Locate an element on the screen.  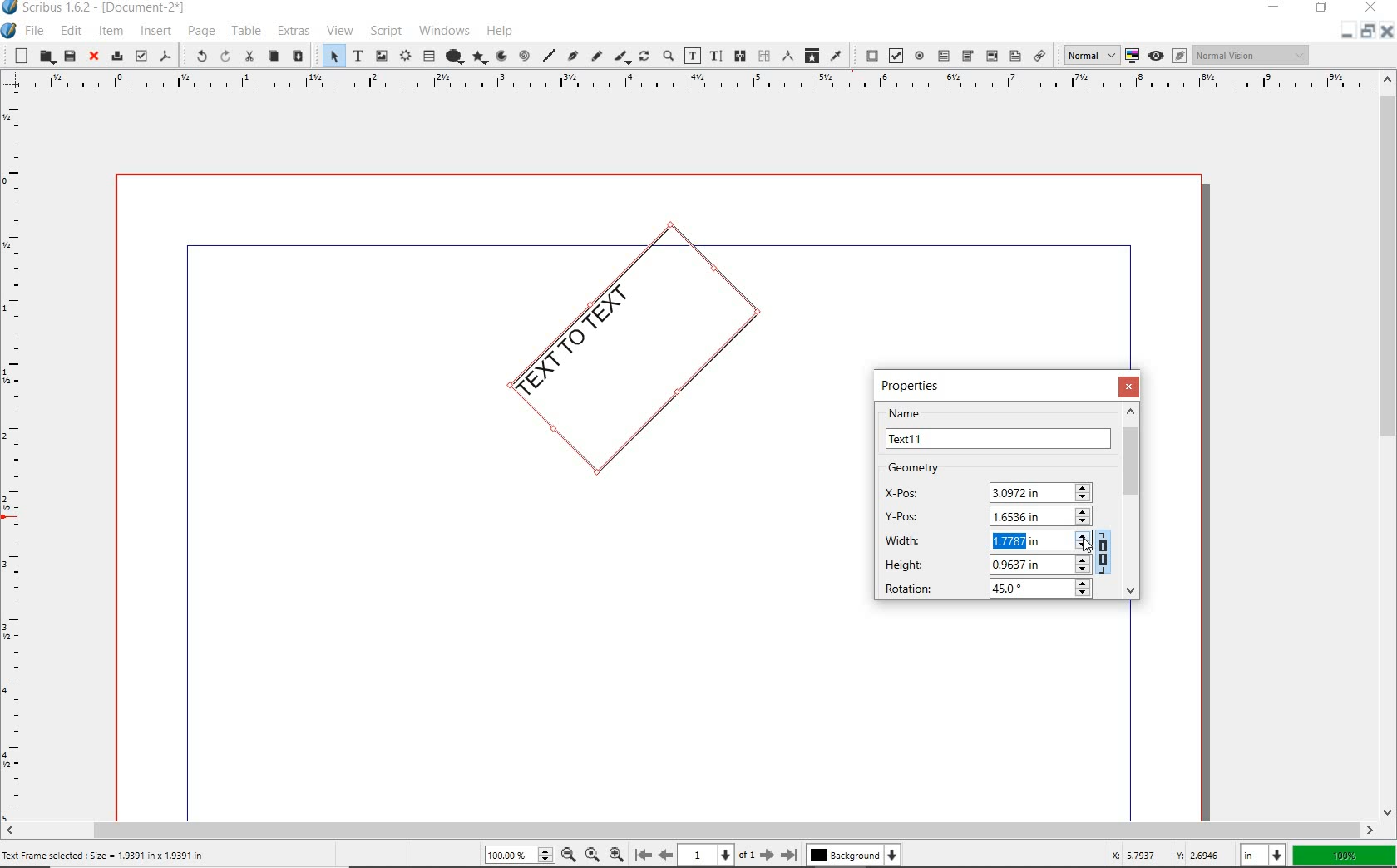
redo is located at coordinates (224, 57).